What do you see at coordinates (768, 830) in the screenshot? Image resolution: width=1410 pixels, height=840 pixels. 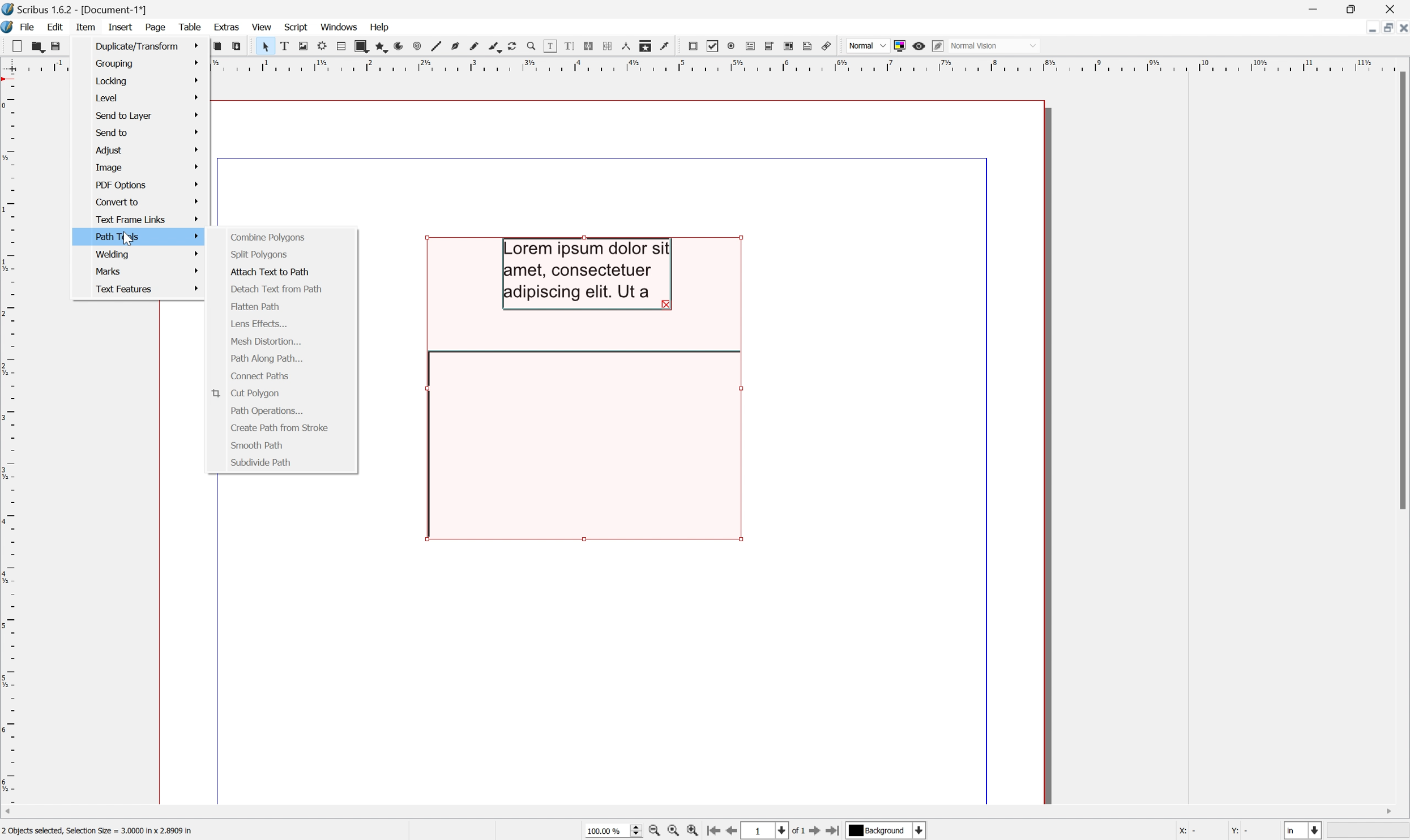 I see `Select the current page` at bounding box center [768, 830].